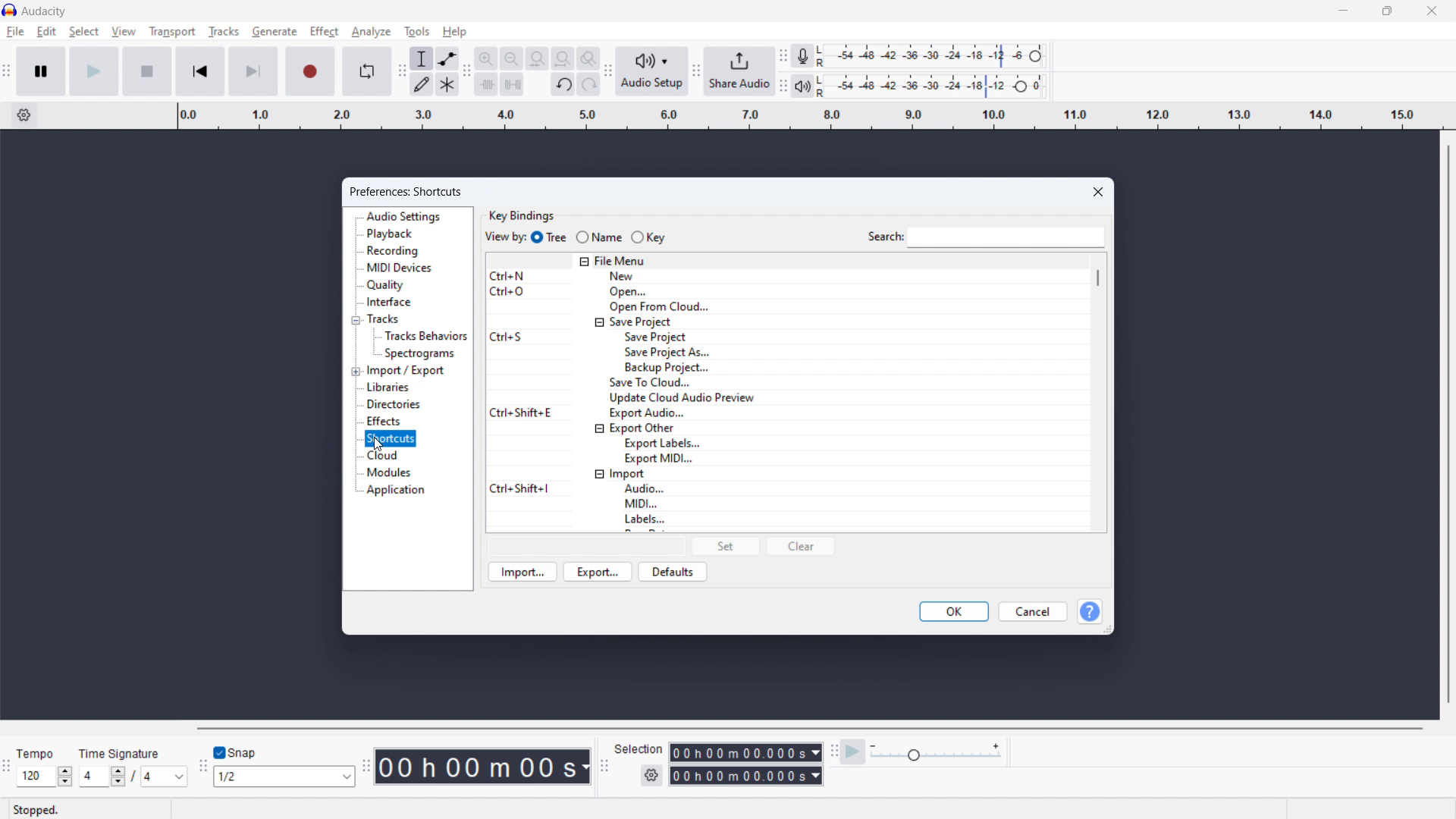 The image size is (1456, 819). I want to click on Enables movement of tools toolbar, so click(403, 71).